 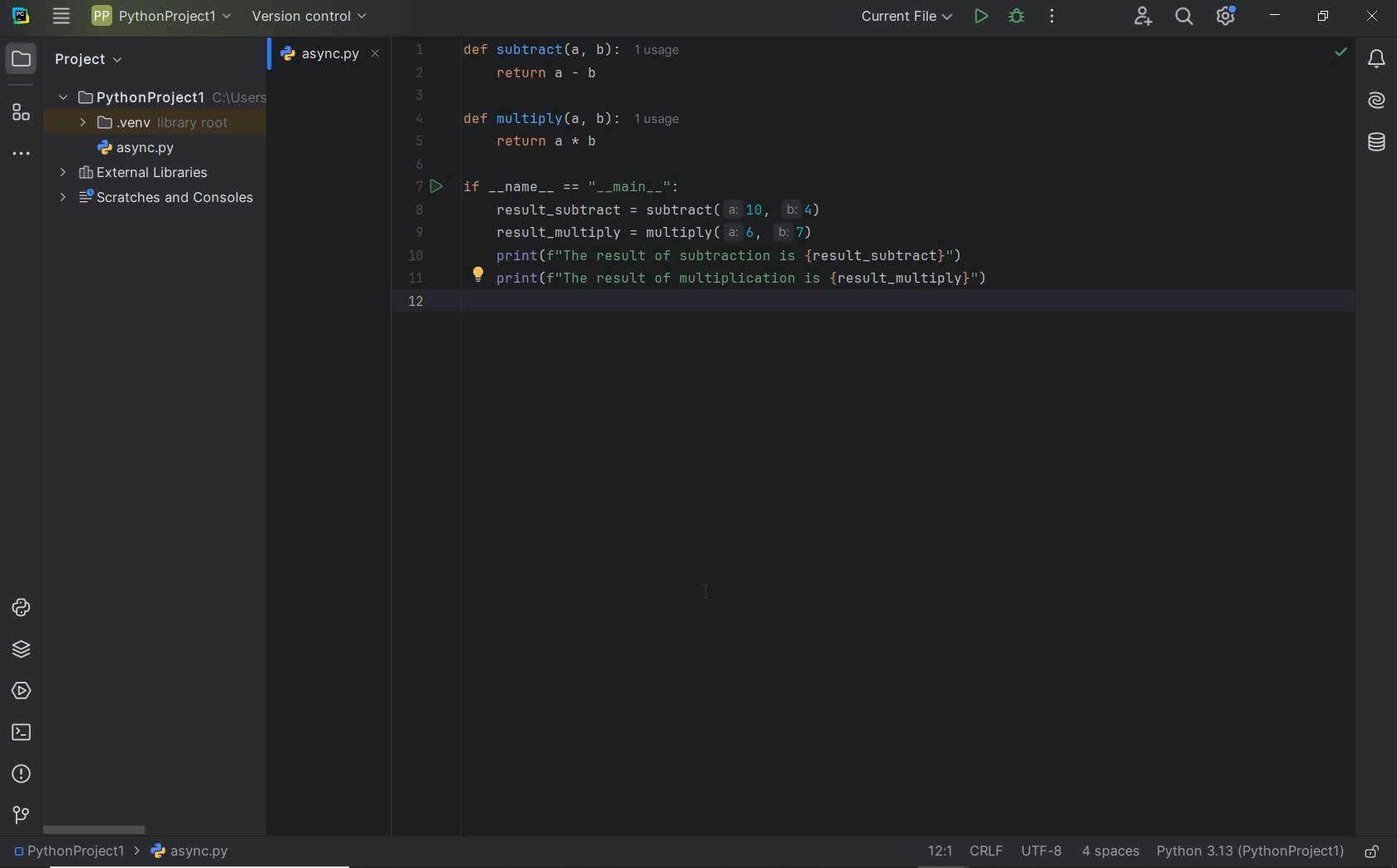 I want to click on close, so click(x=1374, y=15).